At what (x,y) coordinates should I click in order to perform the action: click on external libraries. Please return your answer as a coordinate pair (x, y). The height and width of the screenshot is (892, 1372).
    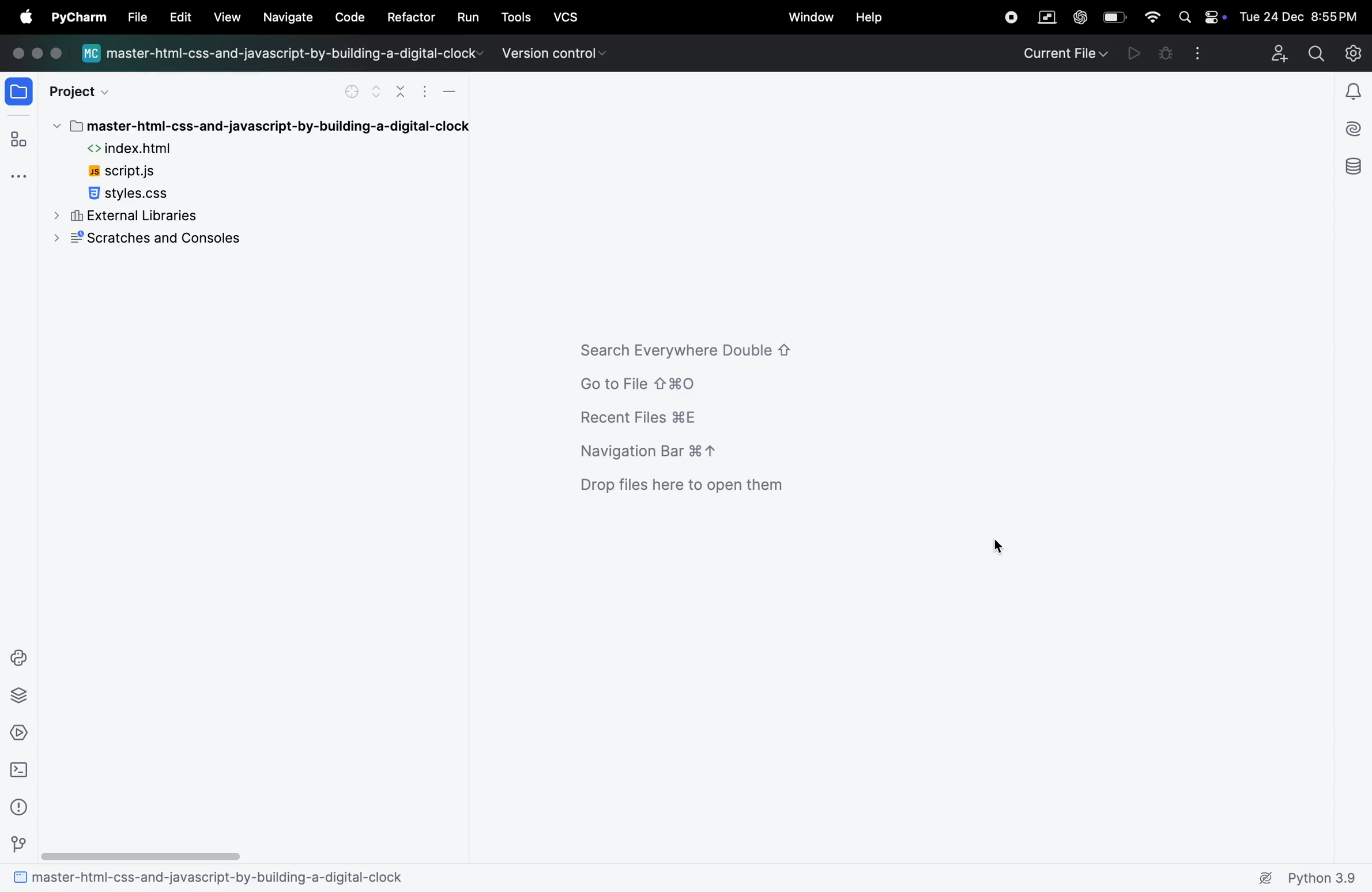
    Looking at the image, I should click on (127, 215).